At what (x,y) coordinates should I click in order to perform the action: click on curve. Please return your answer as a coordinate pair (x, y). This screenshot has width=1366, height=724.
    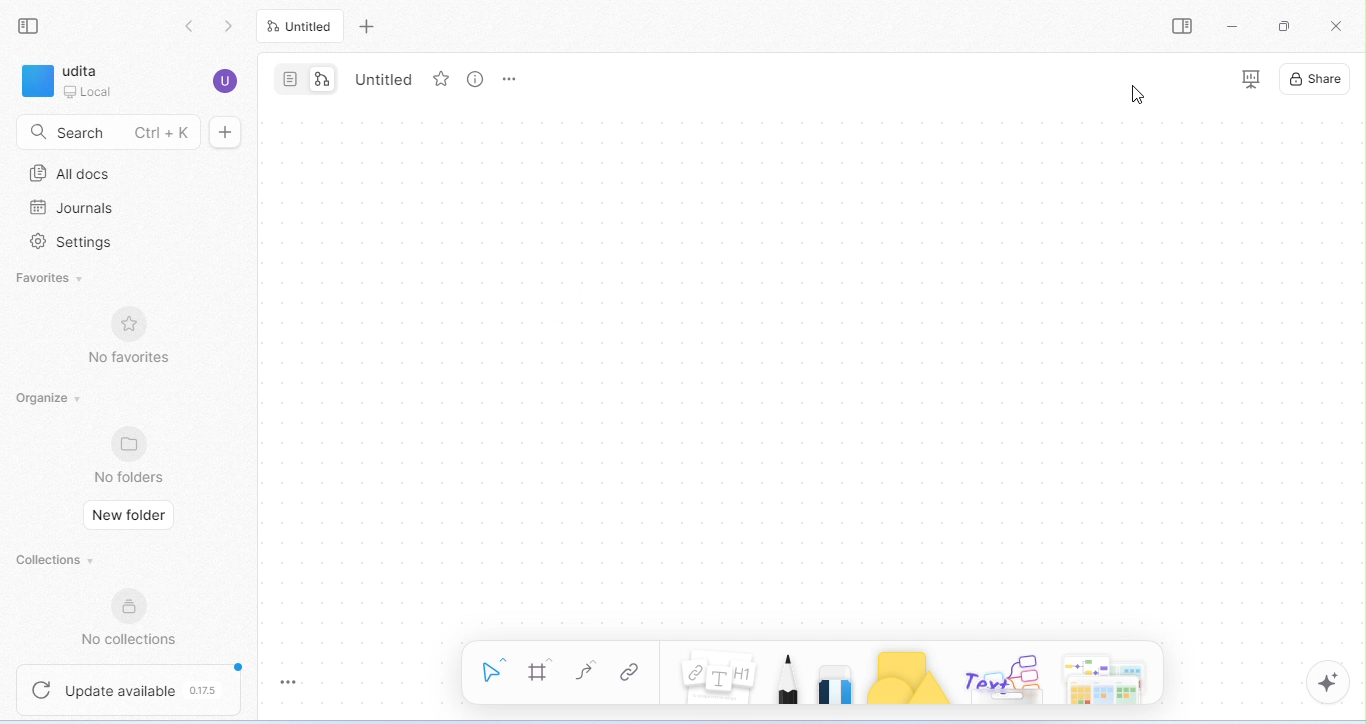
    Looking at the image, I should click on (589, 673).